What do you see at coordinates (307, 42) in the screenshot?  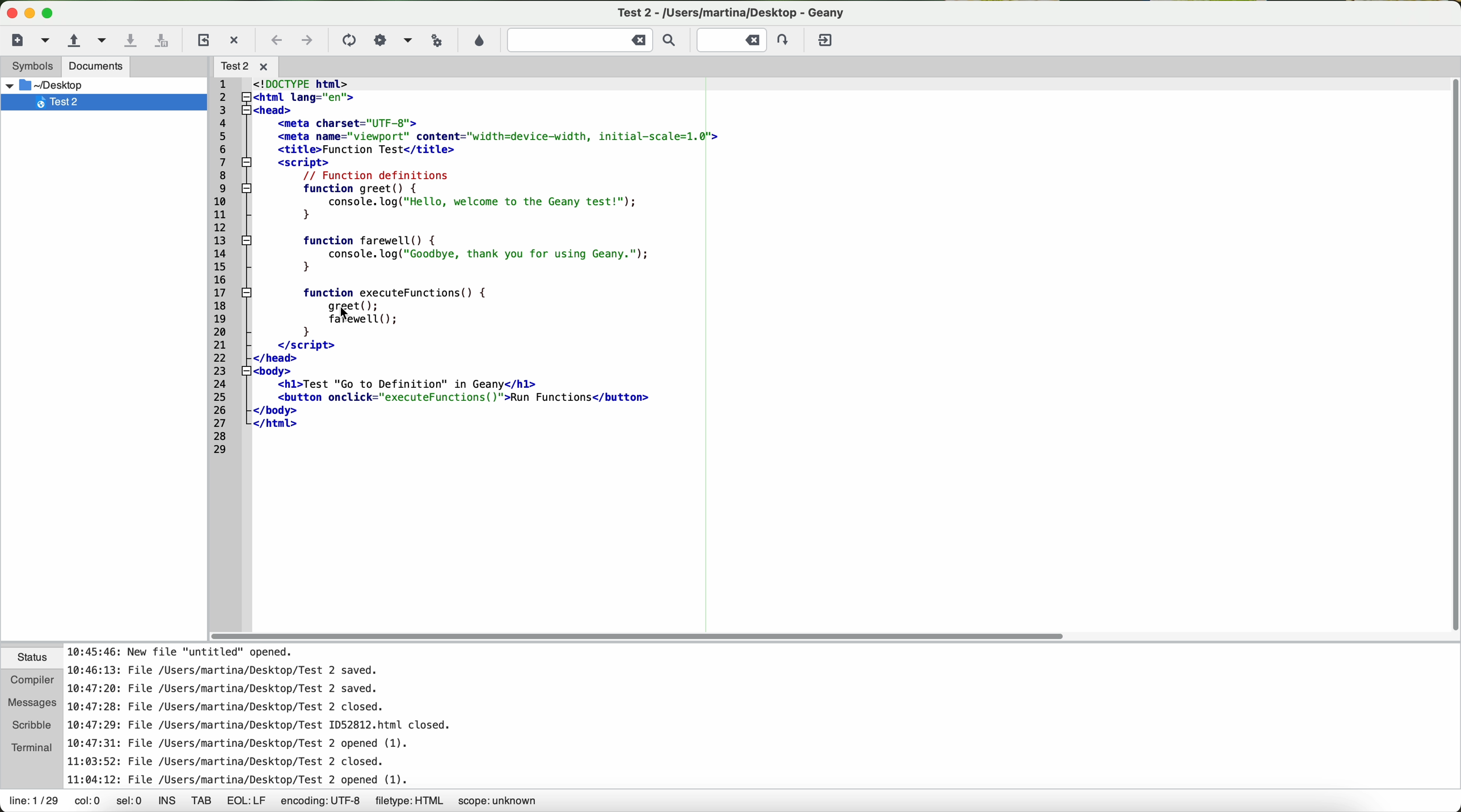 I see `navigate foward` at bounding box center [307, 42].